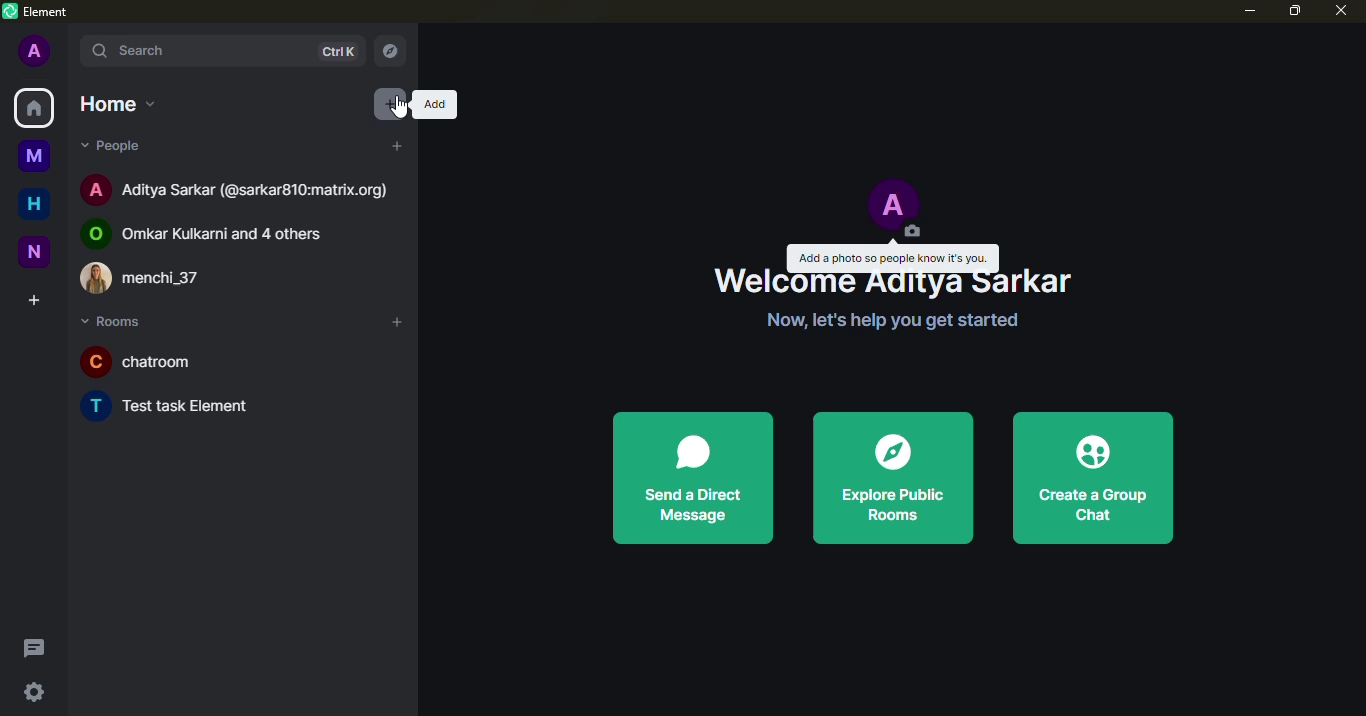 This screenshot has height=716, width=1366. Describe the element at coordinates (892, 258) in the screenshot. I see `add a photo so people know it's you` at that location.